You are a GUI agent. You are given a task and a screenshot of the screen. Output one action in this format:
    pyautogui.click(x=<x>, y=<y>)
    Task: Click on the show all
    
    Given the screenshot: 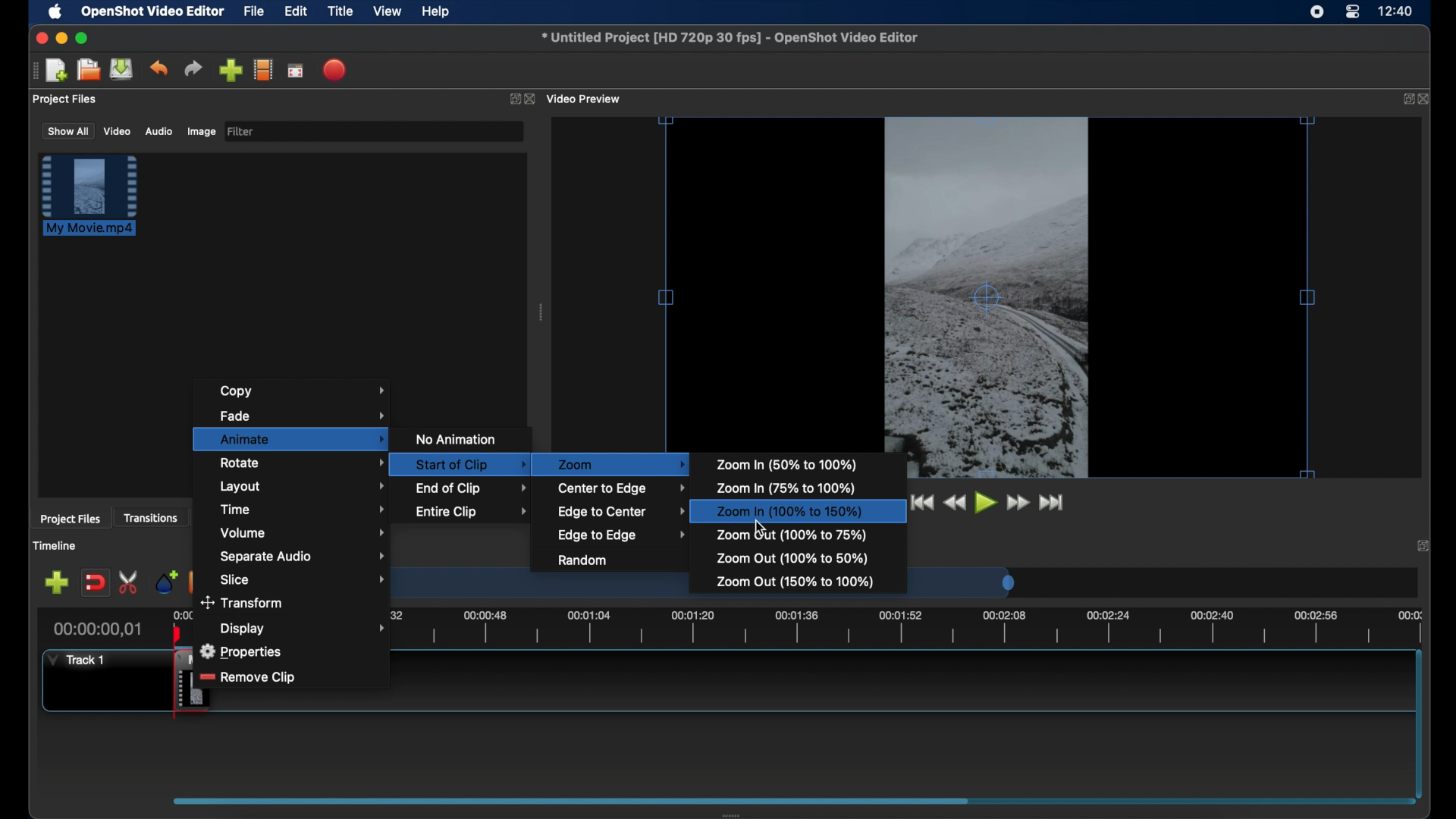 What is the action you would take?
    pyautogui.click(x=67, y=130)
    